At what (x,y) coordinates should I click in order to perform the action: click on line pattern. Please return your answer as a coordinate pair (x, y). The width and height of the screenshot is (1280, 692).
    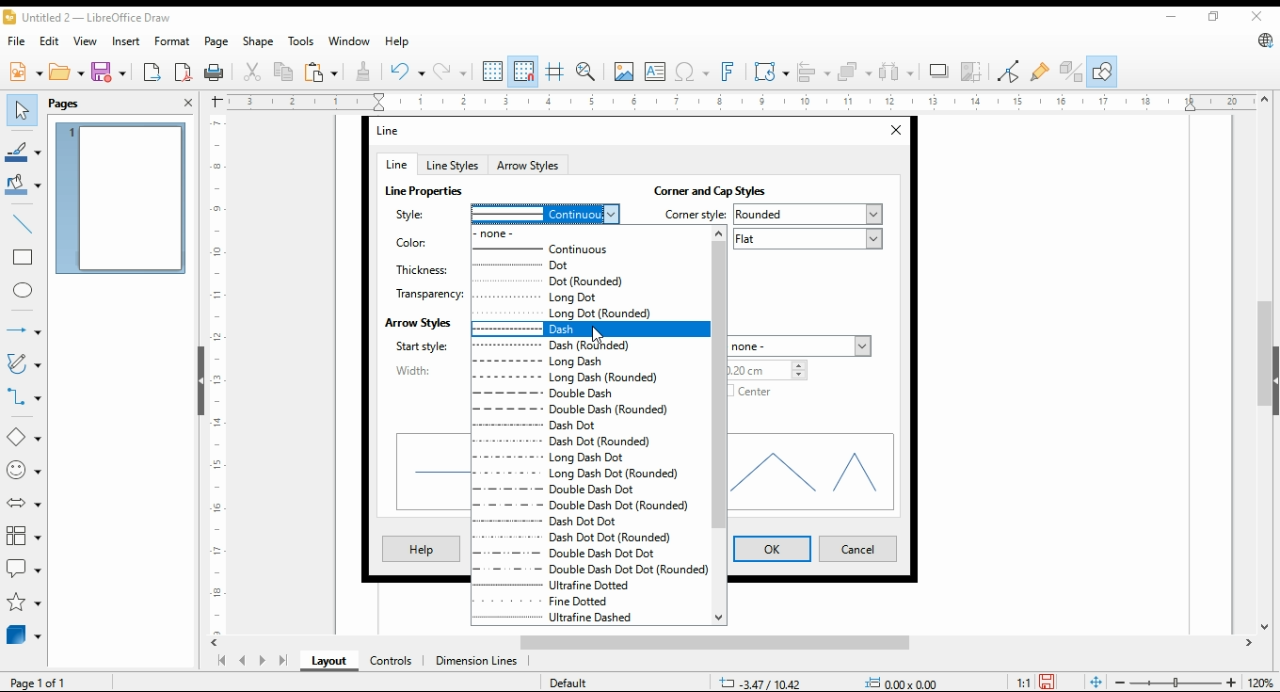
    Looking at the image, I should click on (426, 191).